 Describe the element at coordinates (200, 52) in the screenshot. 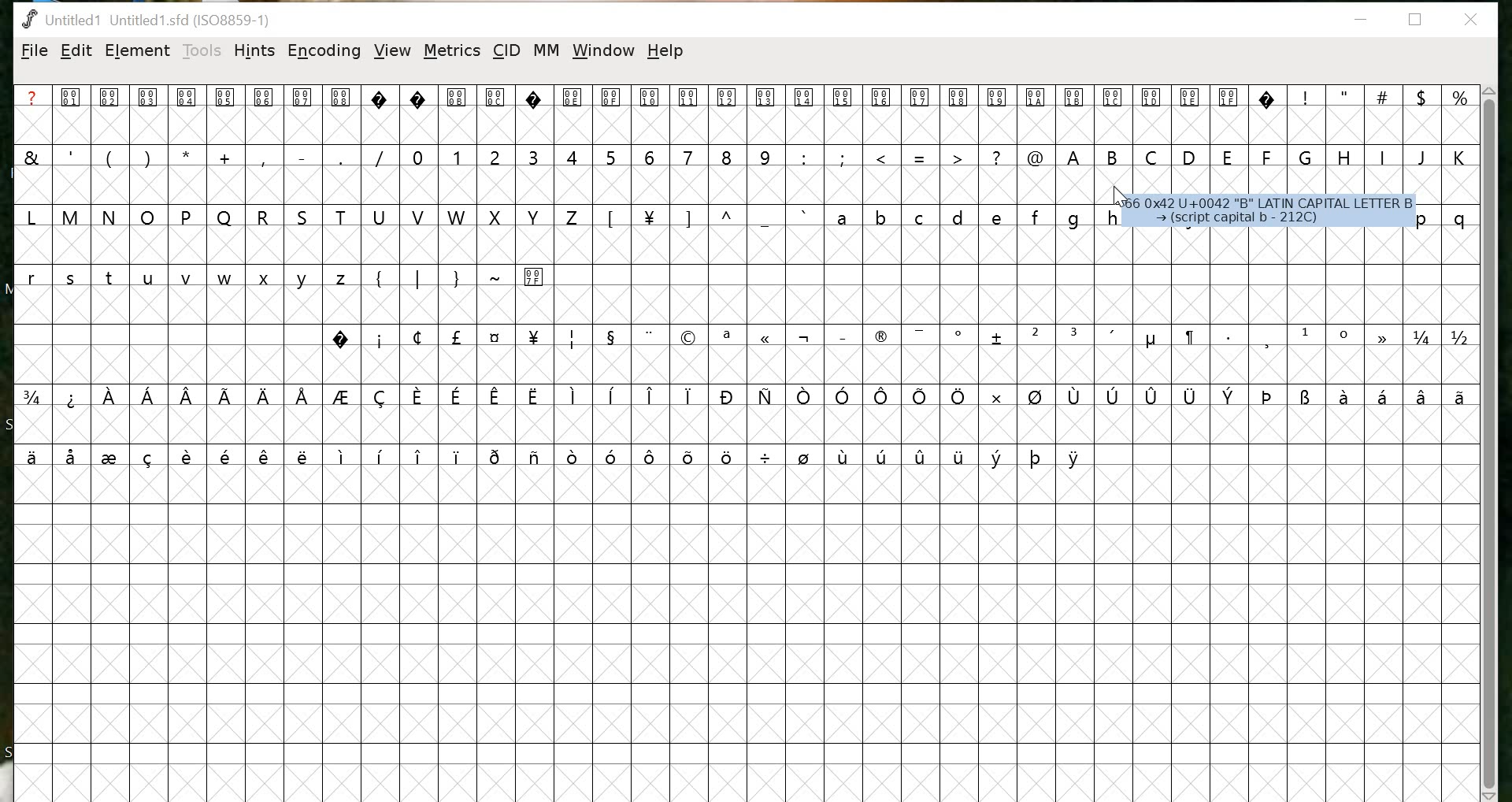

I see `TOOLS` at that location.